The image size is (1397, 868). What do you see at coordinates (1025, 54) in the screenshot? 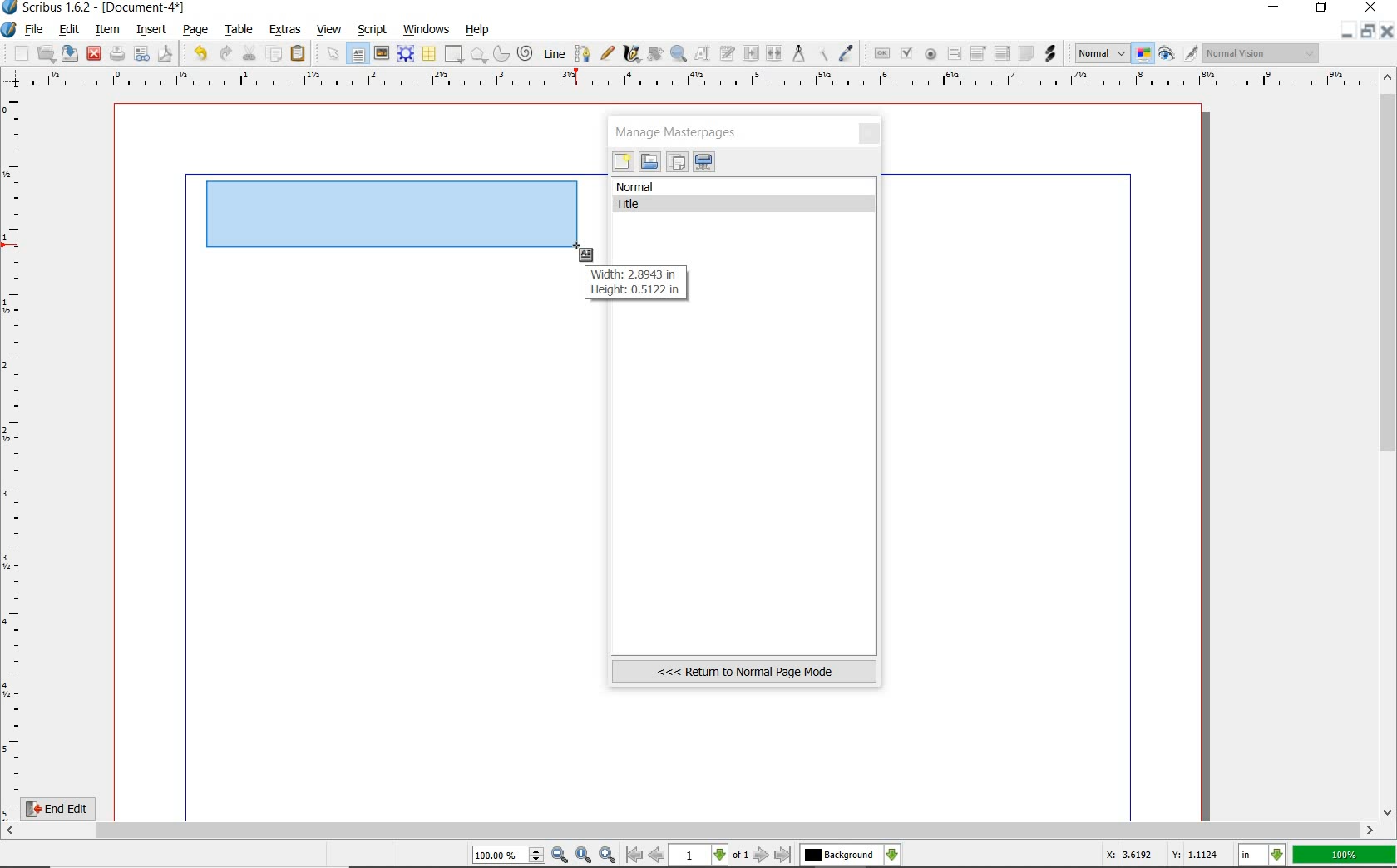
I see `text annotation` at bounding box center [1025, 54].